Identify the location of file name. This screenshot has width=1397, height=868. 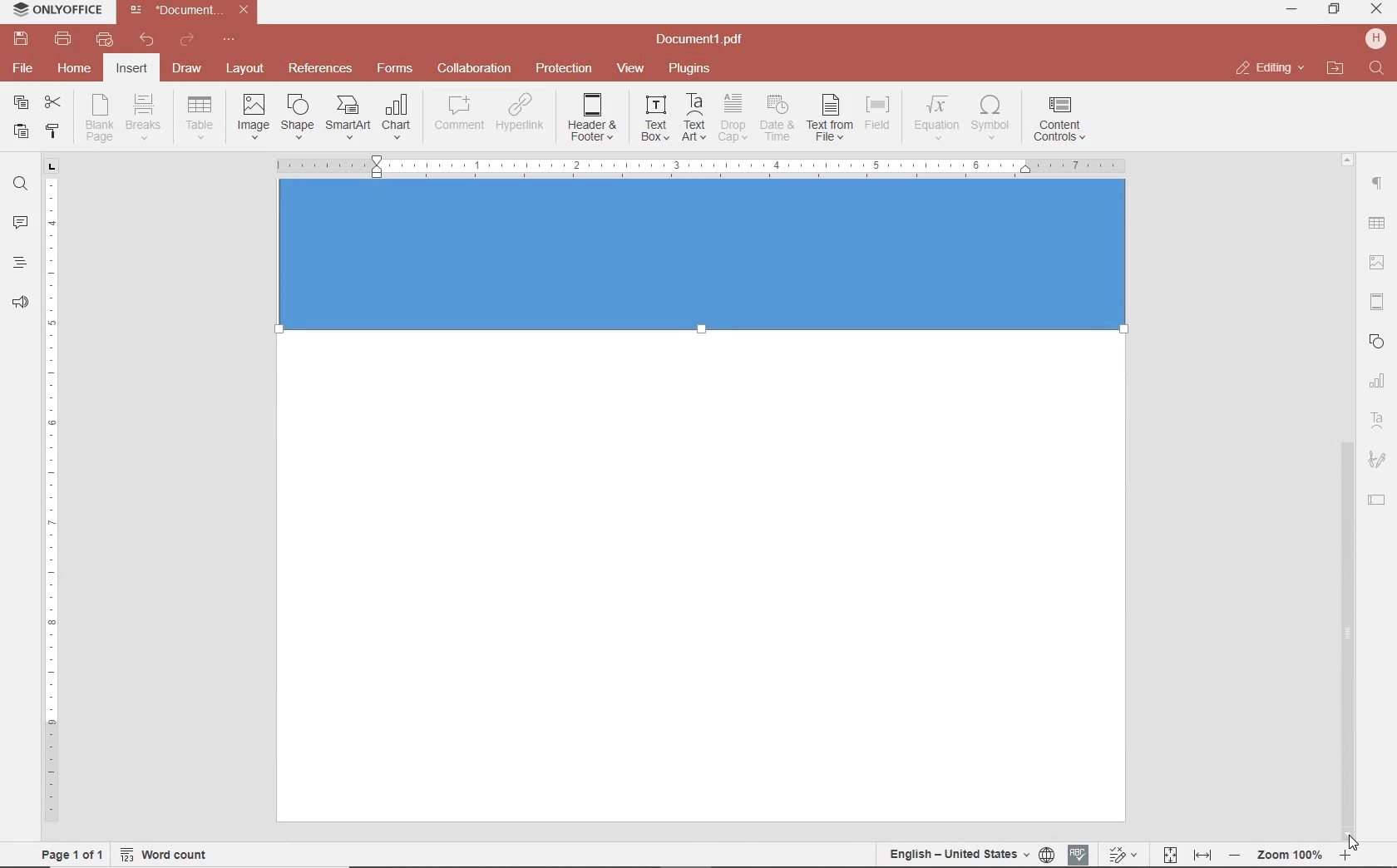
(193, 10).